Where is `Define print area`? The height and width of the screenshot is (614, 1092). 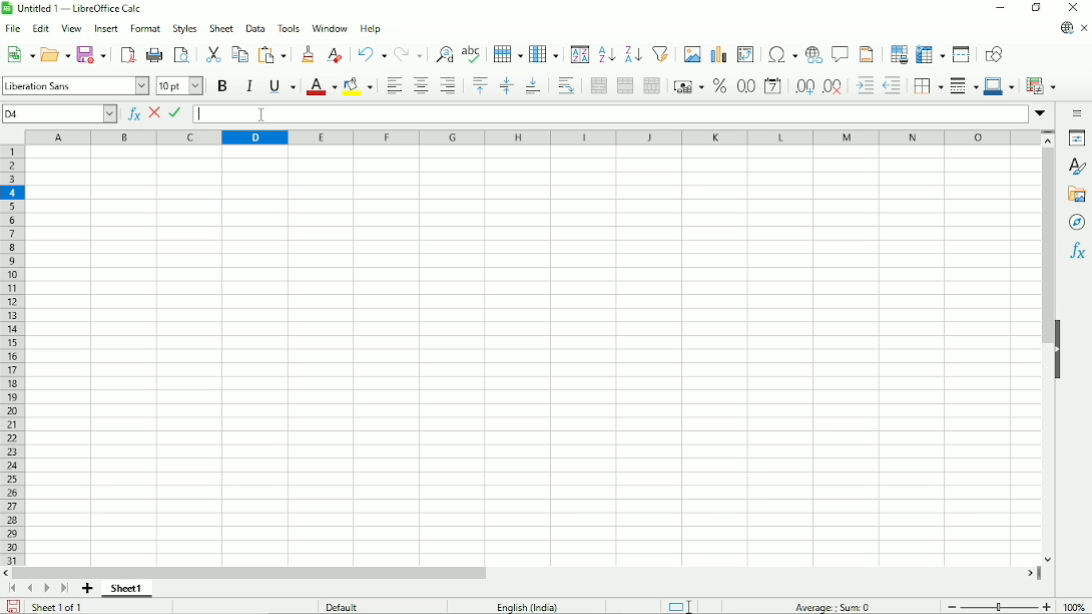 Define print area is located at coordinates (897, 54).